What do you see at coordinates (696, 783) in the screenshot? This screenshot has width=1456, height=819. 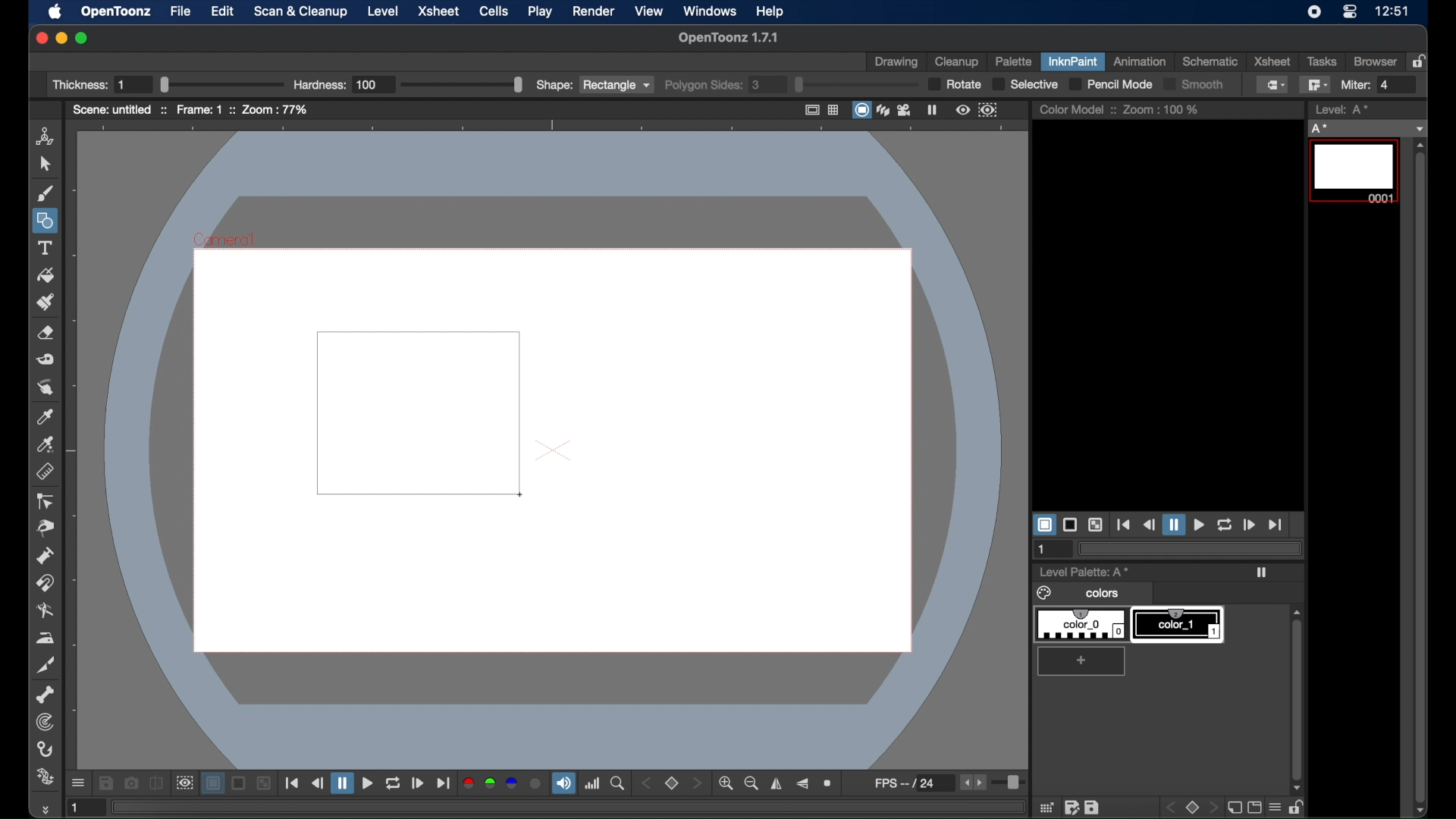 I see `stepper button` at bounding box center [696, 783].